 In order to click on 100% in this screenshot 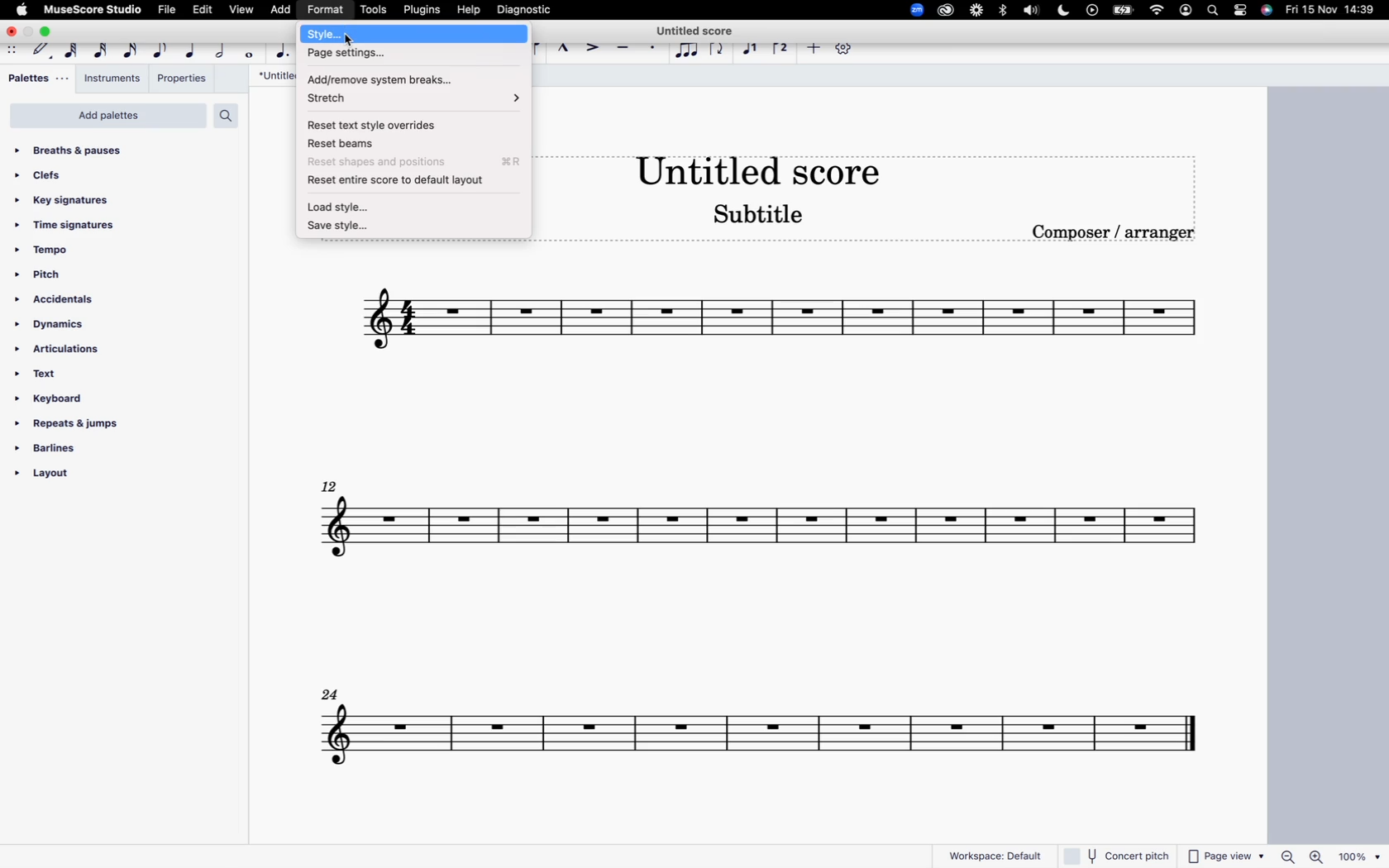, I will do `click(1358, 855)`.